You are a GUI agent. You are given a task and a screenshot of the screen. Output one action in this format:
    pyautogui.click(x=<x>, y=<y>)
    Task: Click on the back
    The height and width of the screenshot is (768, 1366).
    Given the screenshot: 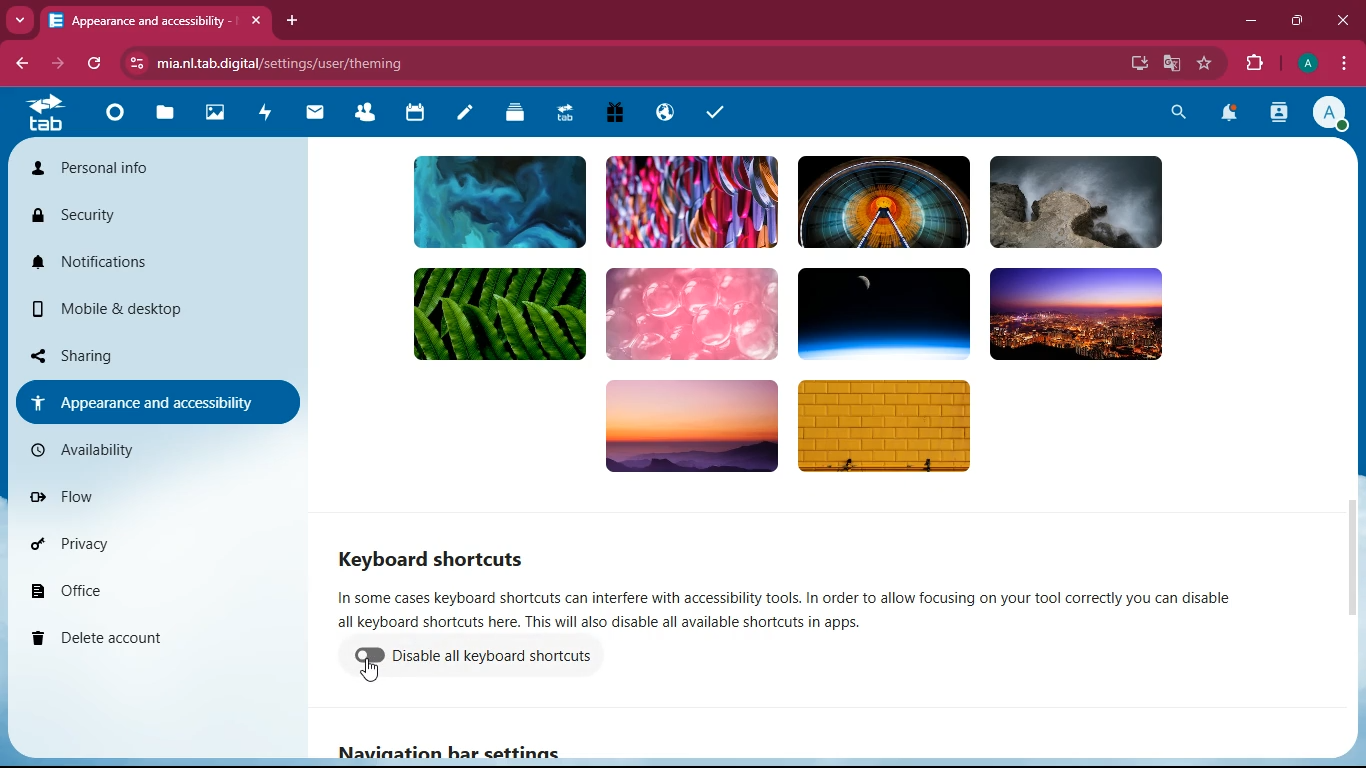 What is the action you would take?
    pyautogui.click(x=16, y=63)
    